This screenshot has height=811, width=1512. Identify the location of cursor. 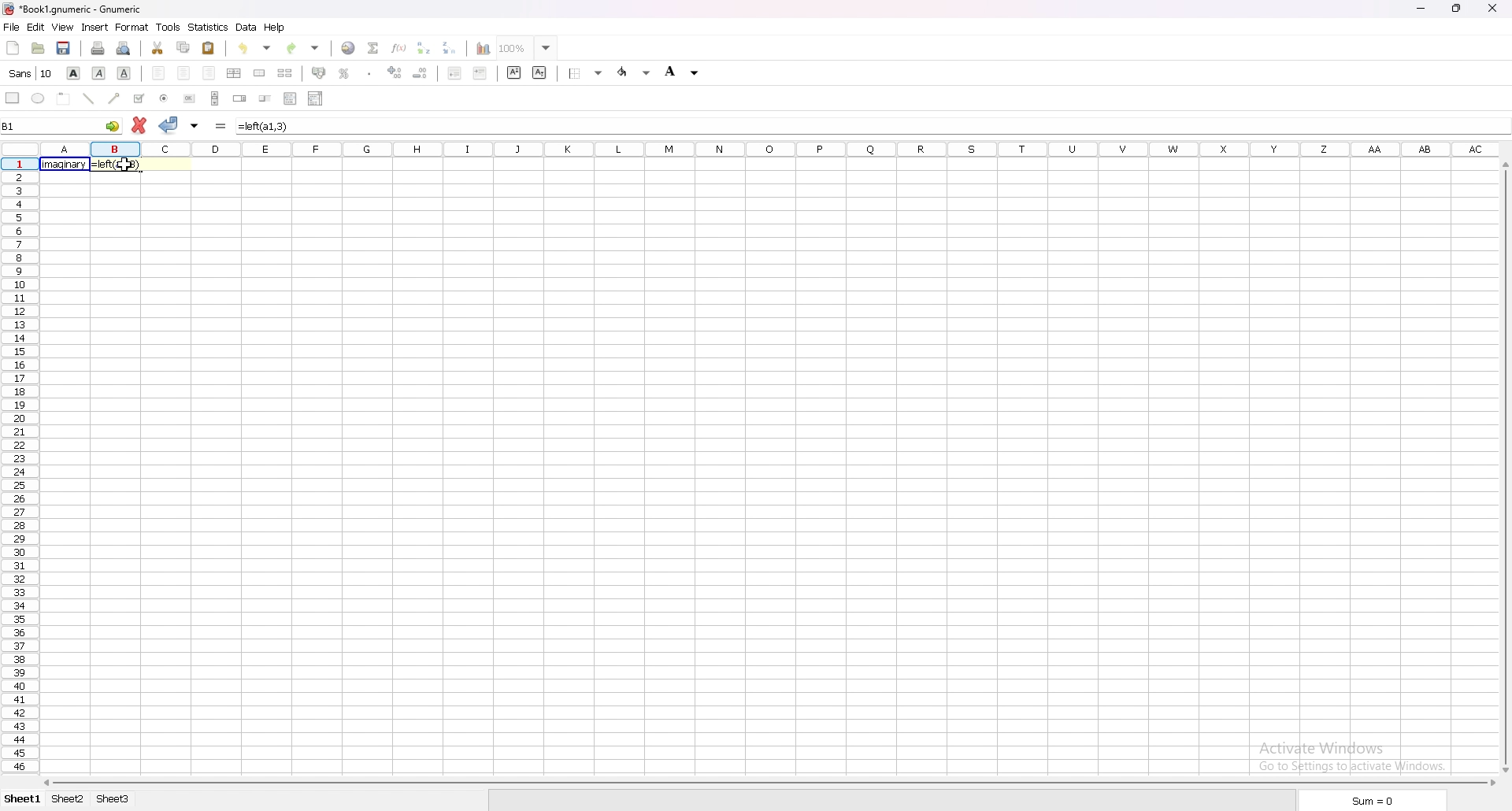
(128, 168).